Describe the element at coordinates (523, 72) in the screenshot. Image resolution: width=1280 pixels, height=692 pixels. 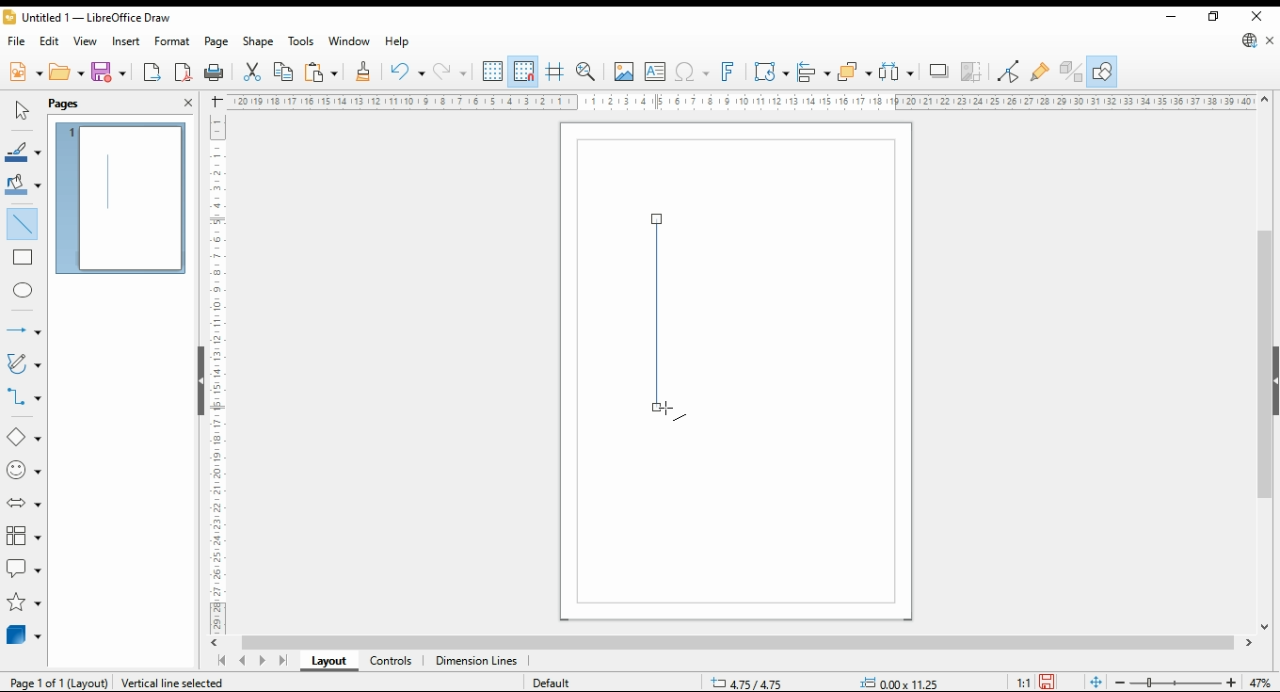
I see `snap to grid` at that location.